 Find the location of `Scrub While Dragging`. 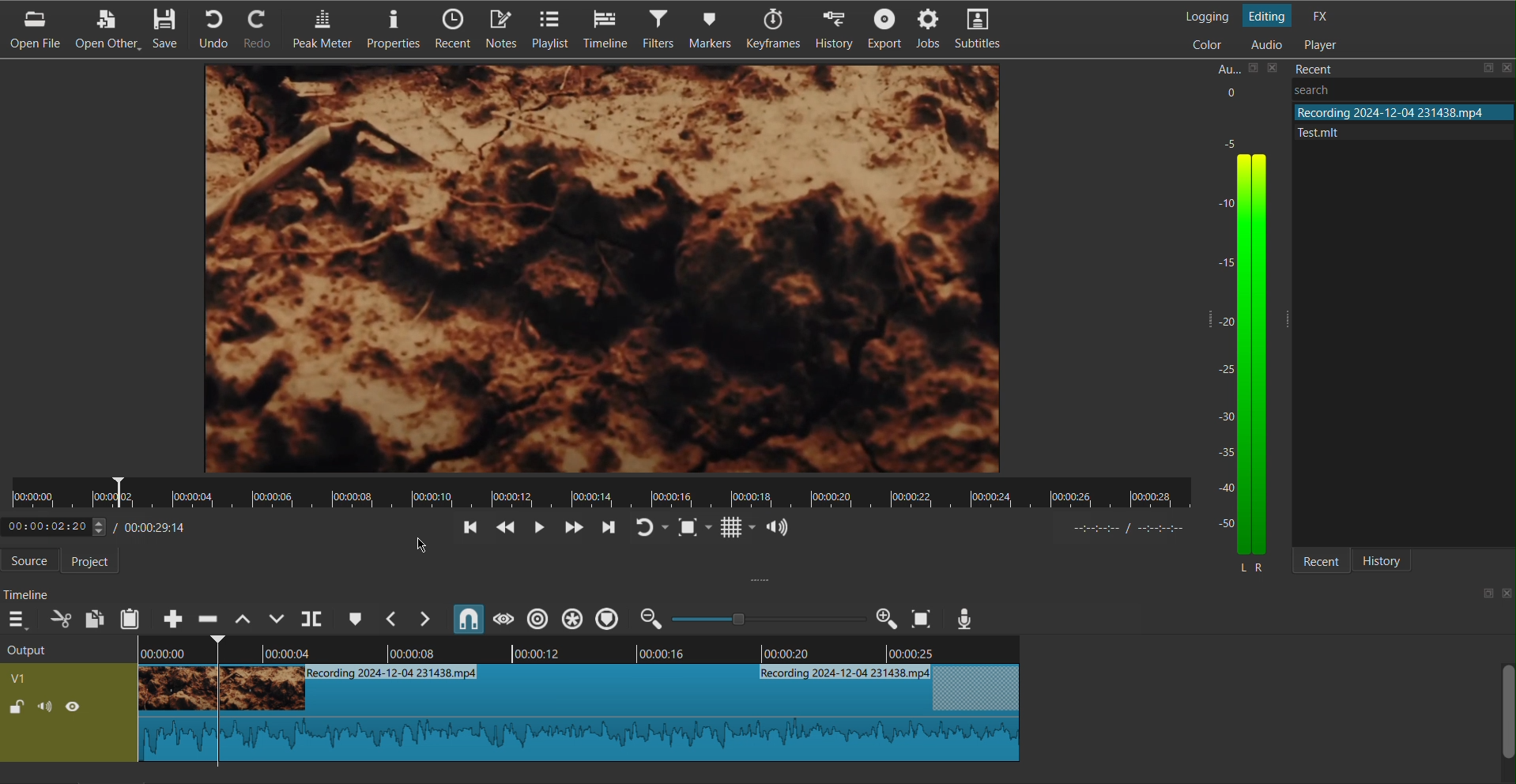

Scrub While Dragging is located at coordinates (501, 618).